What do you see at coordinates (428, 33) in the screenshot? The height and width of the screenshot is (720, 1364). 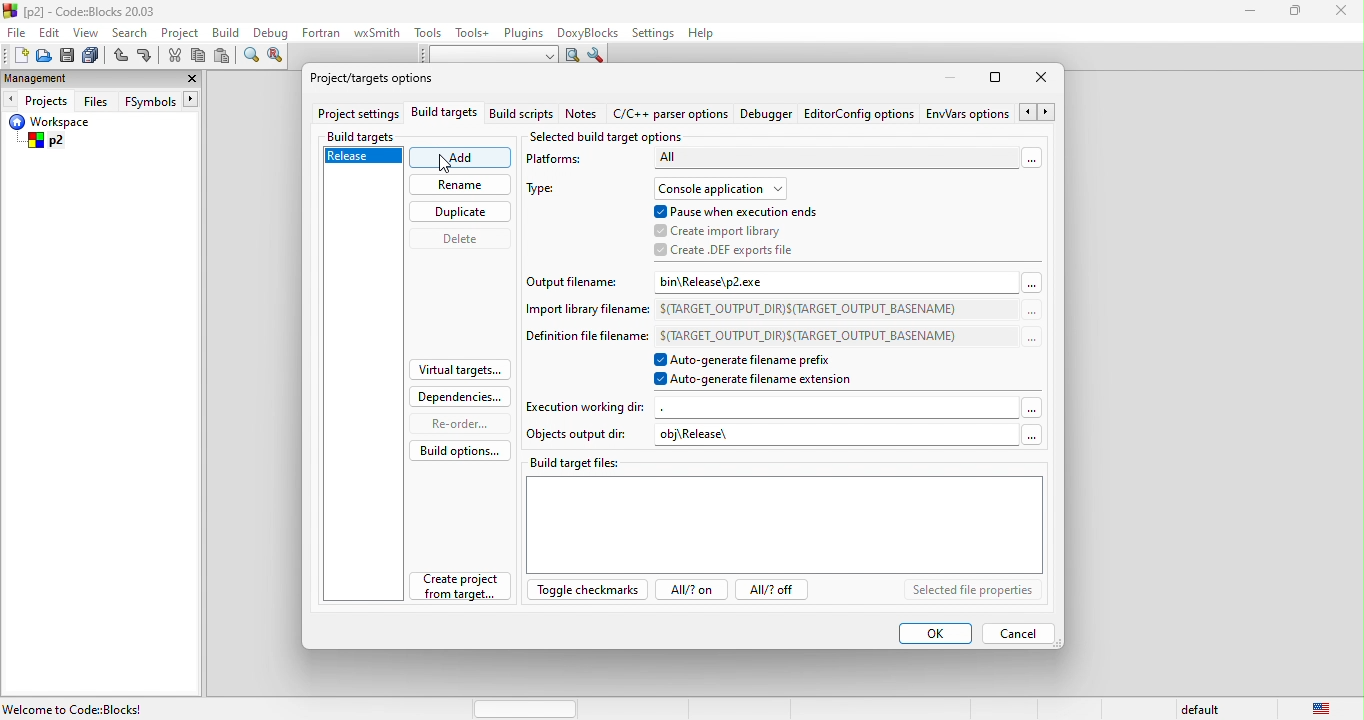 I see `tools` at bounding box center [428, 33].